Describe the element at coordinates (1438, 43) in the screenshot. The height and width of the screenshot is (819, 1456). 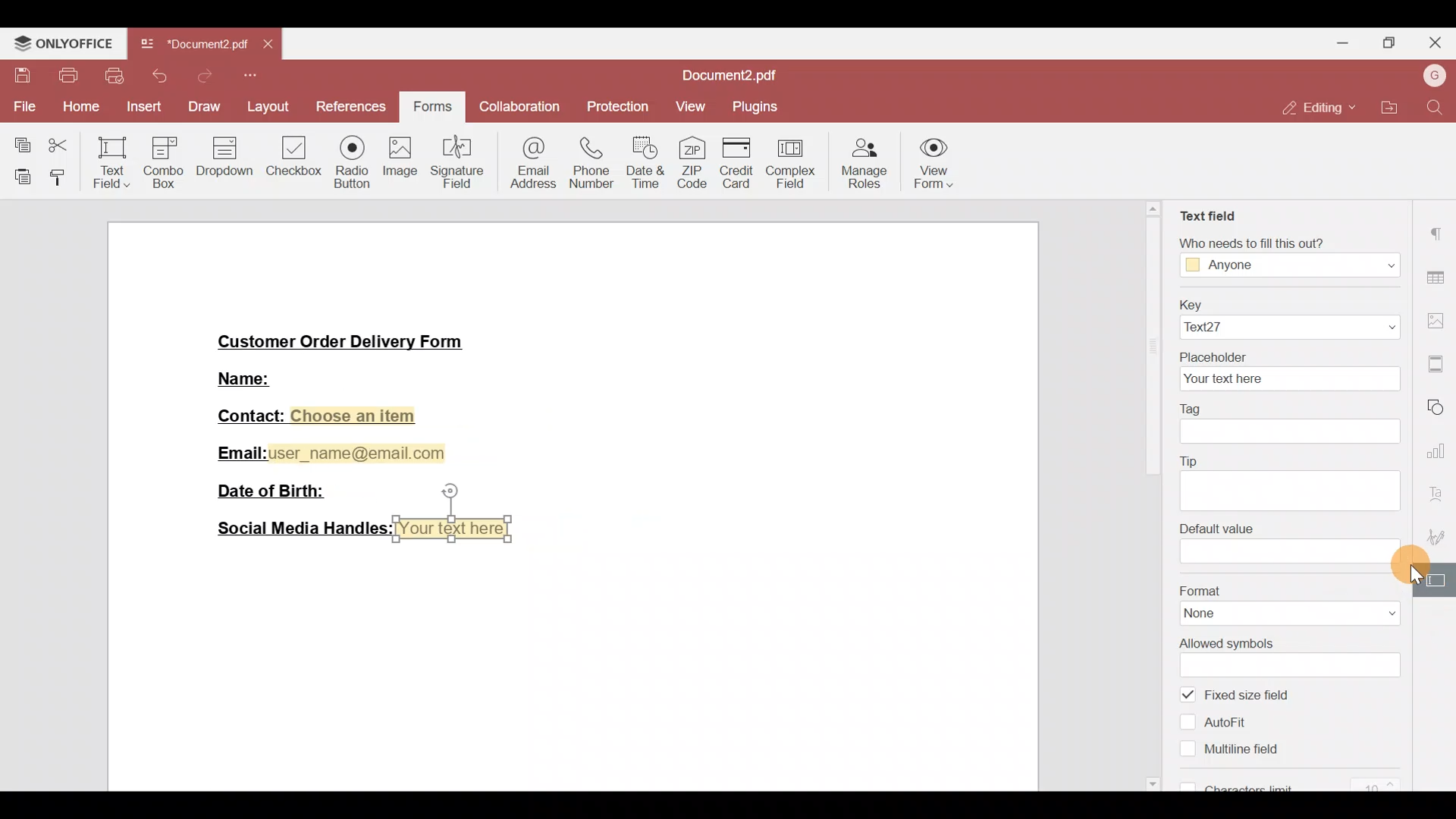
I see `Close` at that location.